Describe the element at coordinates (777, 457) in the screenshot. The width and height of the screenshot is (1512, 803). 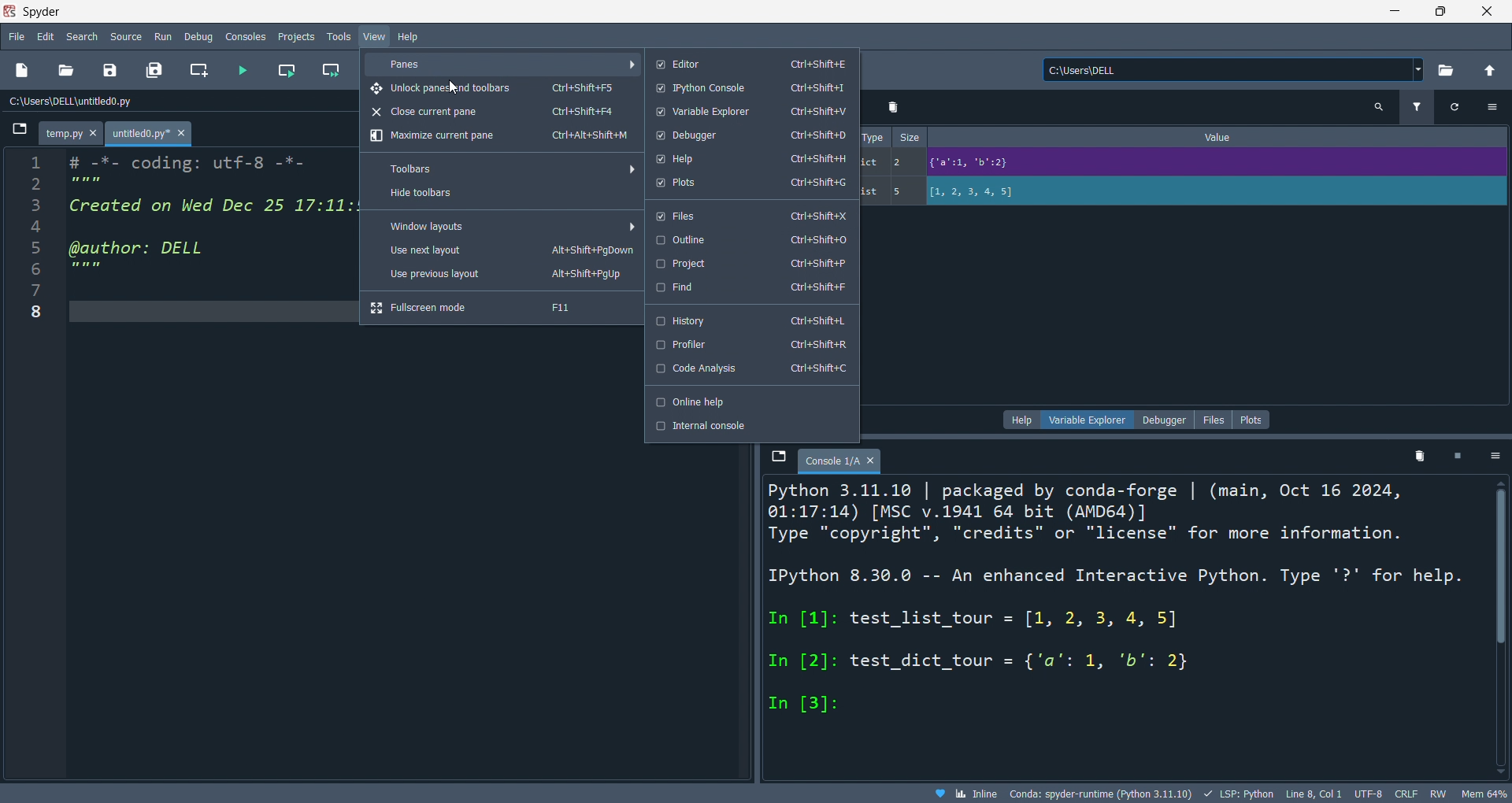
I see `browse tabs` at that location.